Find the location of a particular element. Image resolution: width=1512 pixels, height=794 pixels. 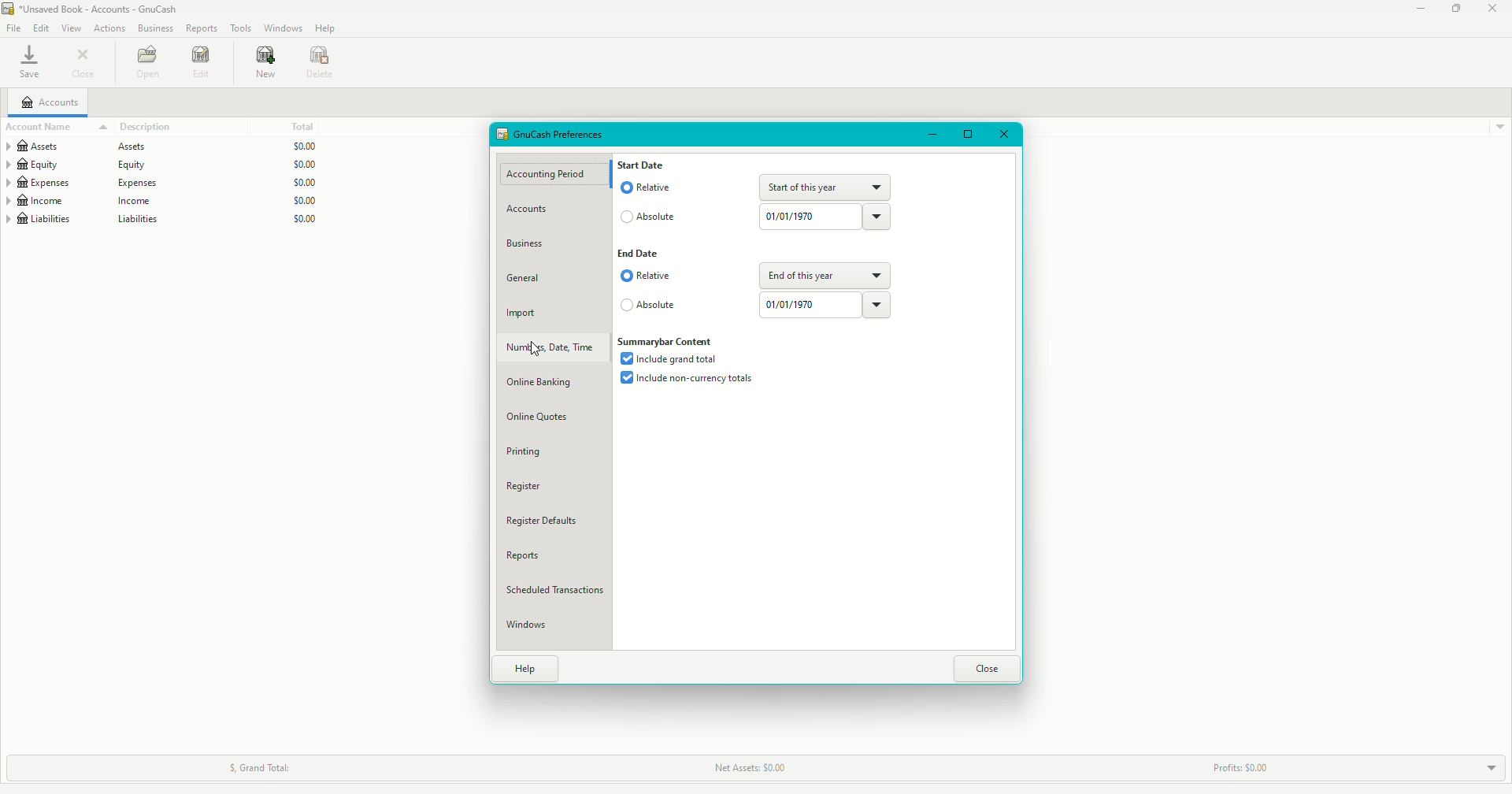

Summarybar is located at coordinates (667, 343).